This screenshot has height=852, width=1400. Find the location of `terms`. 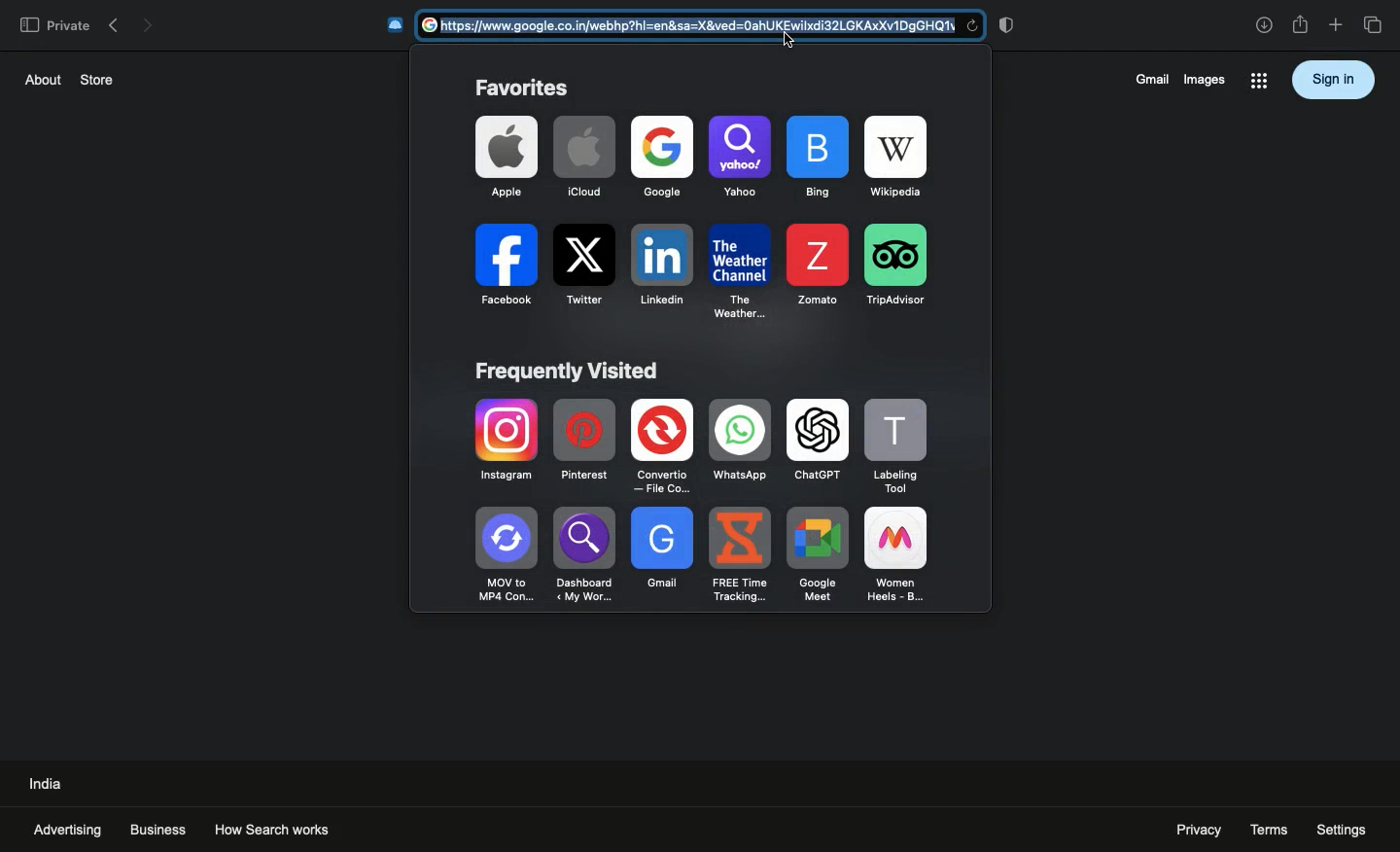

terms is located at coordinates (1270, 828).